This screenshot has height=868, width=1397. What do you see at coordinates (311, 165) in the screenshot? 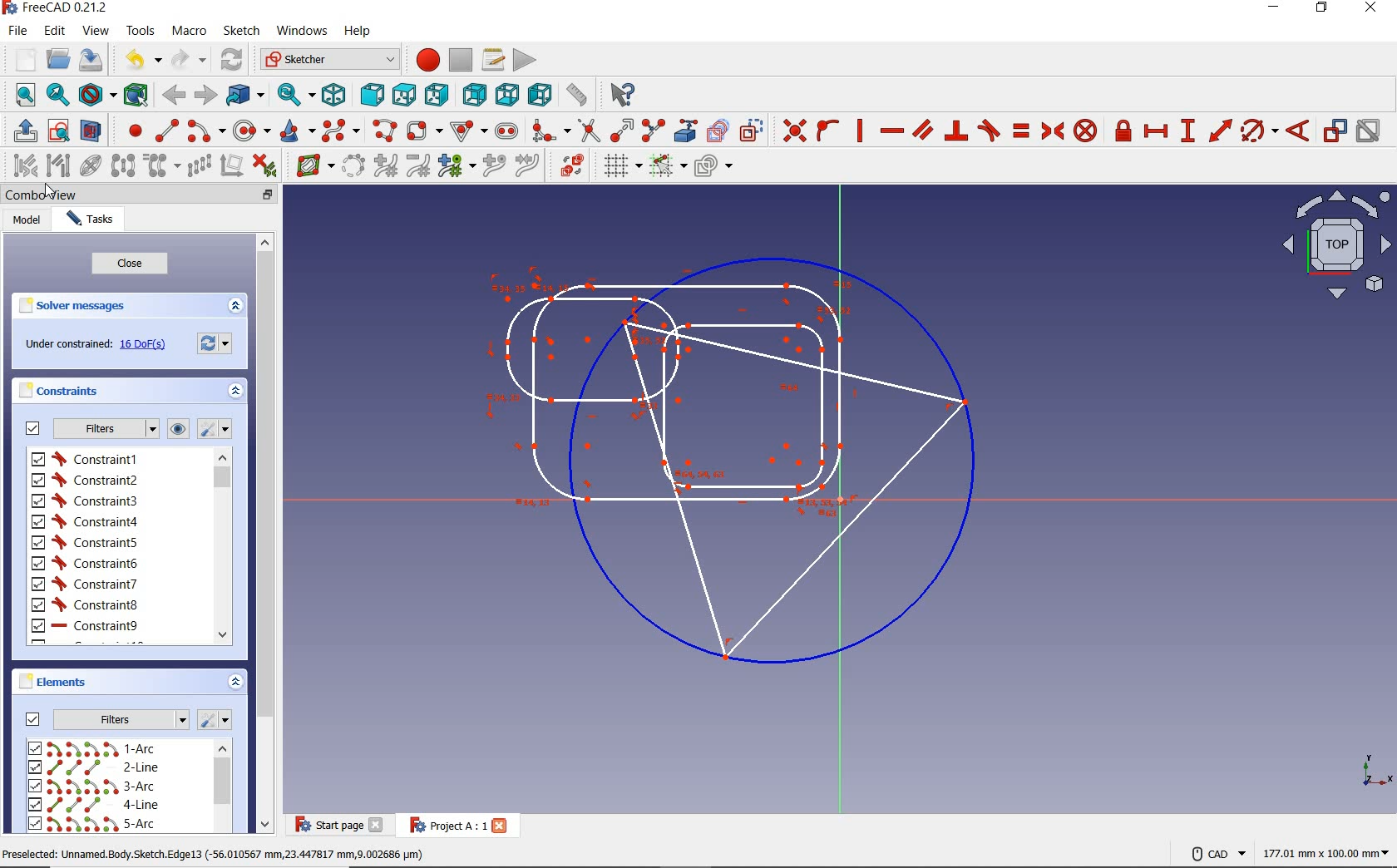
I see `show/hide b-spline information layer` at bounding box center [311, 165].